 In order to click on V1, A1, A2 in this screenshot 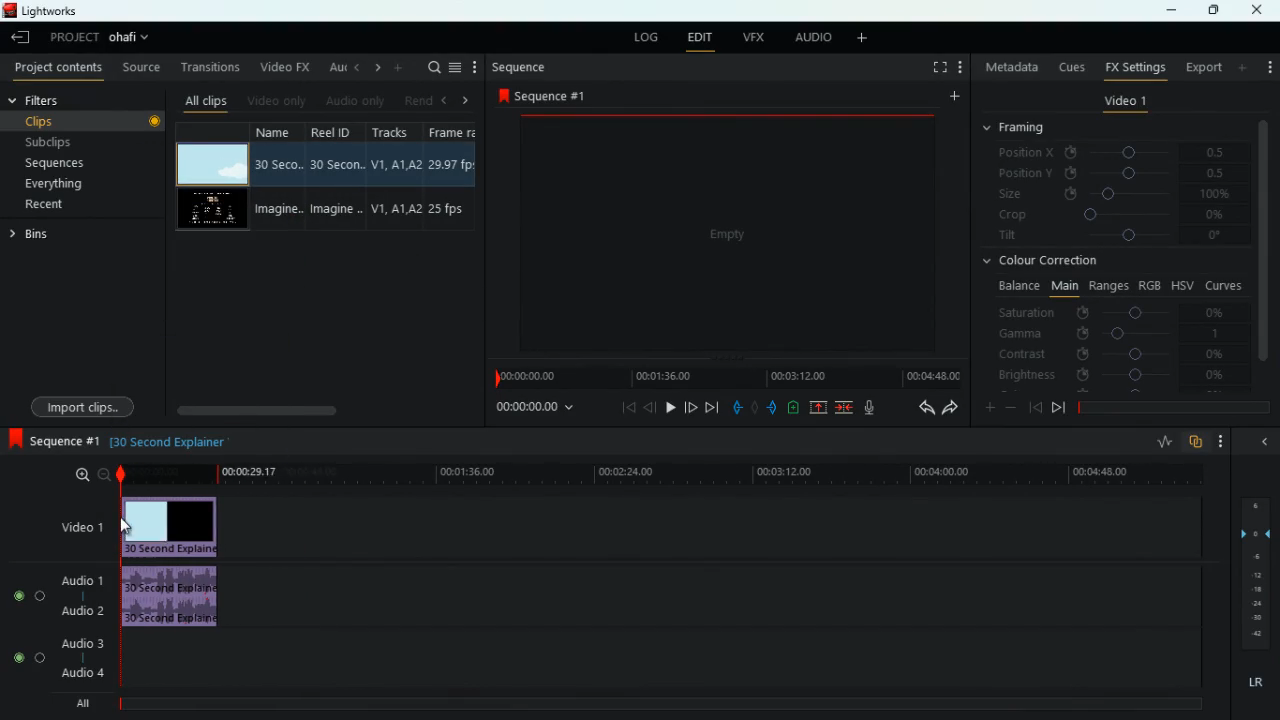, I will do `click(395, 161)`.